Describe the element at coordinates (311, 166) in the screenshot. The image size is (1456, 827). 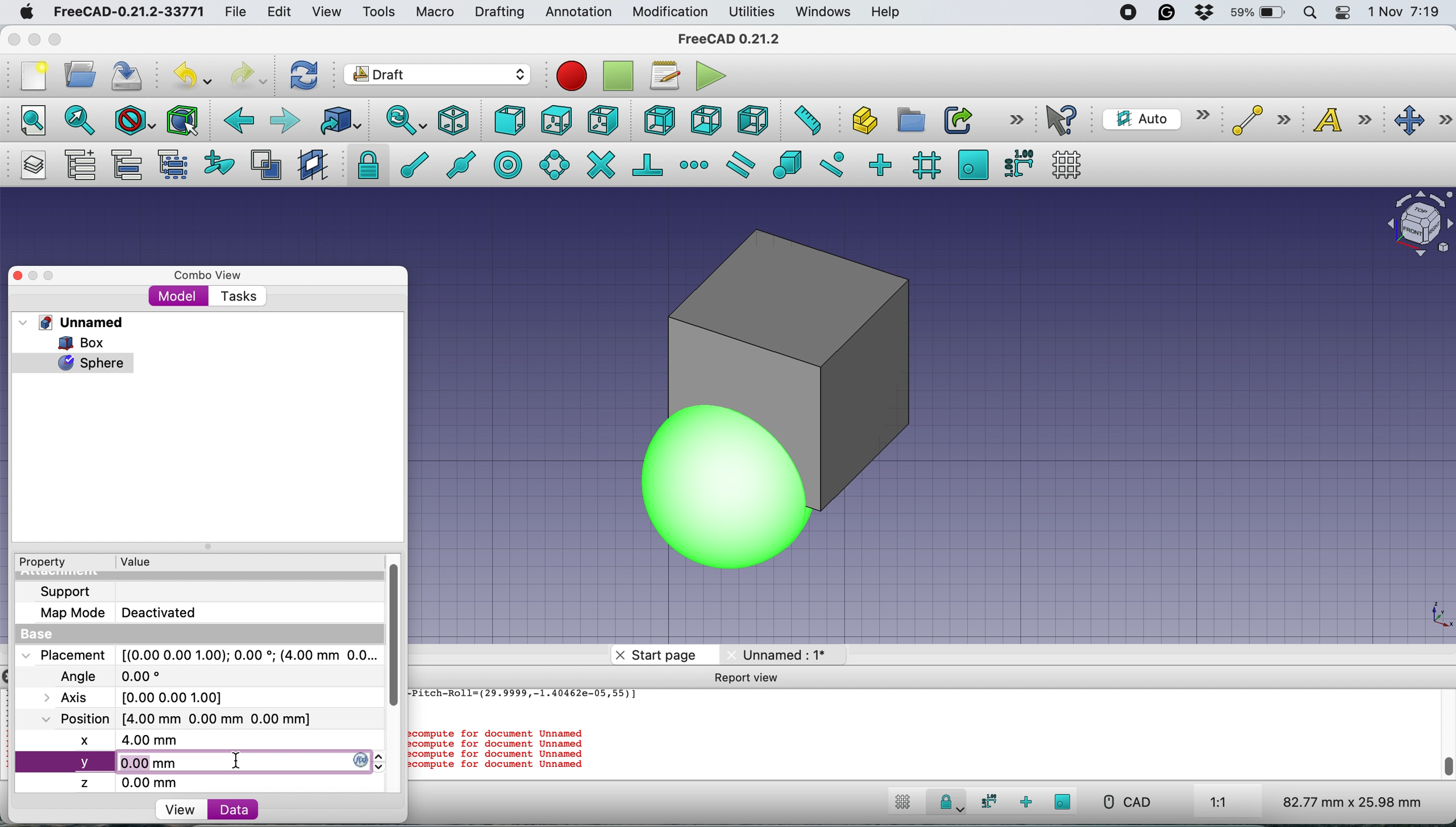
I see `change working plane proxy` at that location.